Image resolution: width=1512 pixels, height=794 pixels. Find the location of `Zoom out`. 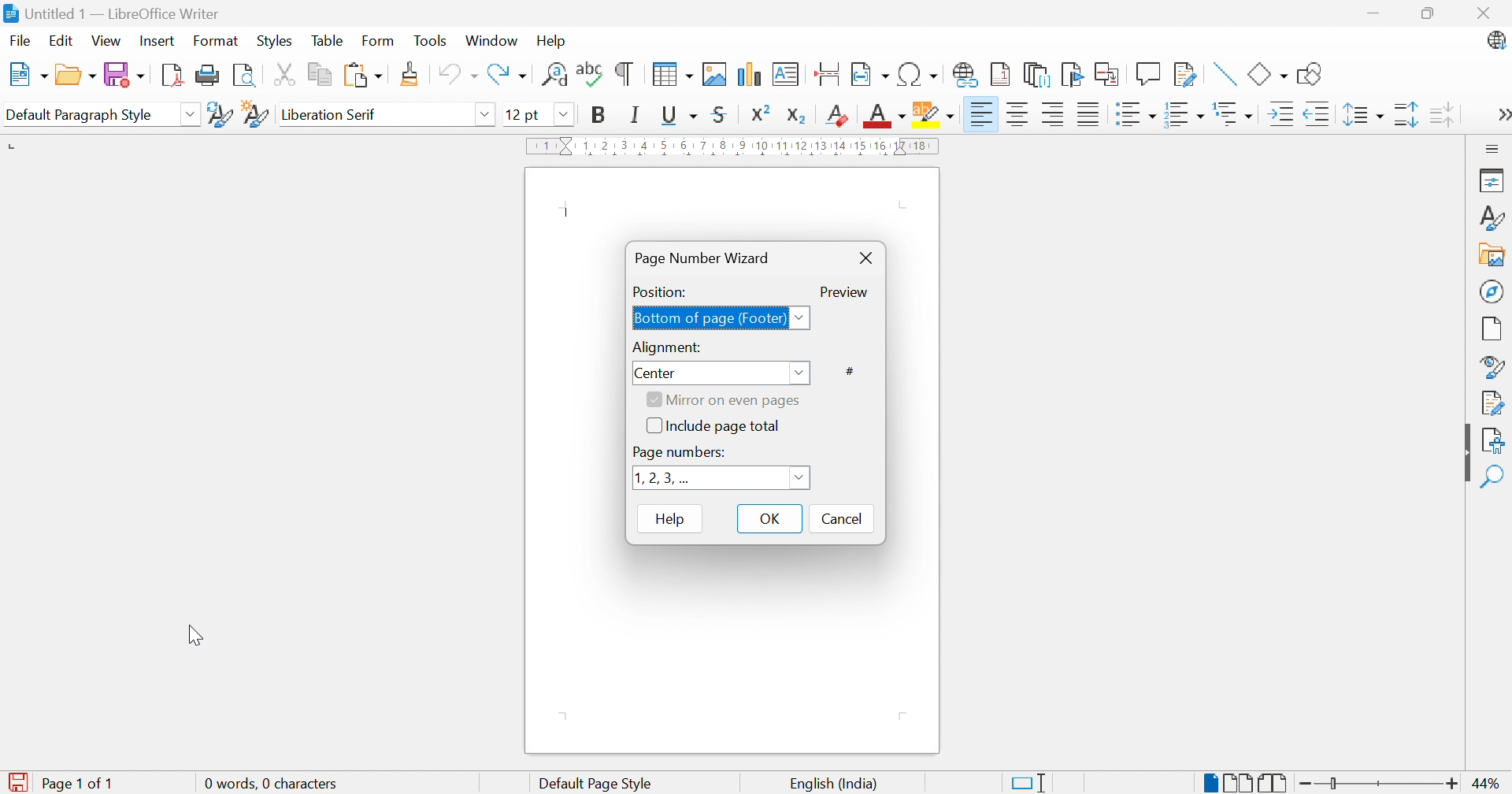

Zoom out is located at coordinates (1308, 785).